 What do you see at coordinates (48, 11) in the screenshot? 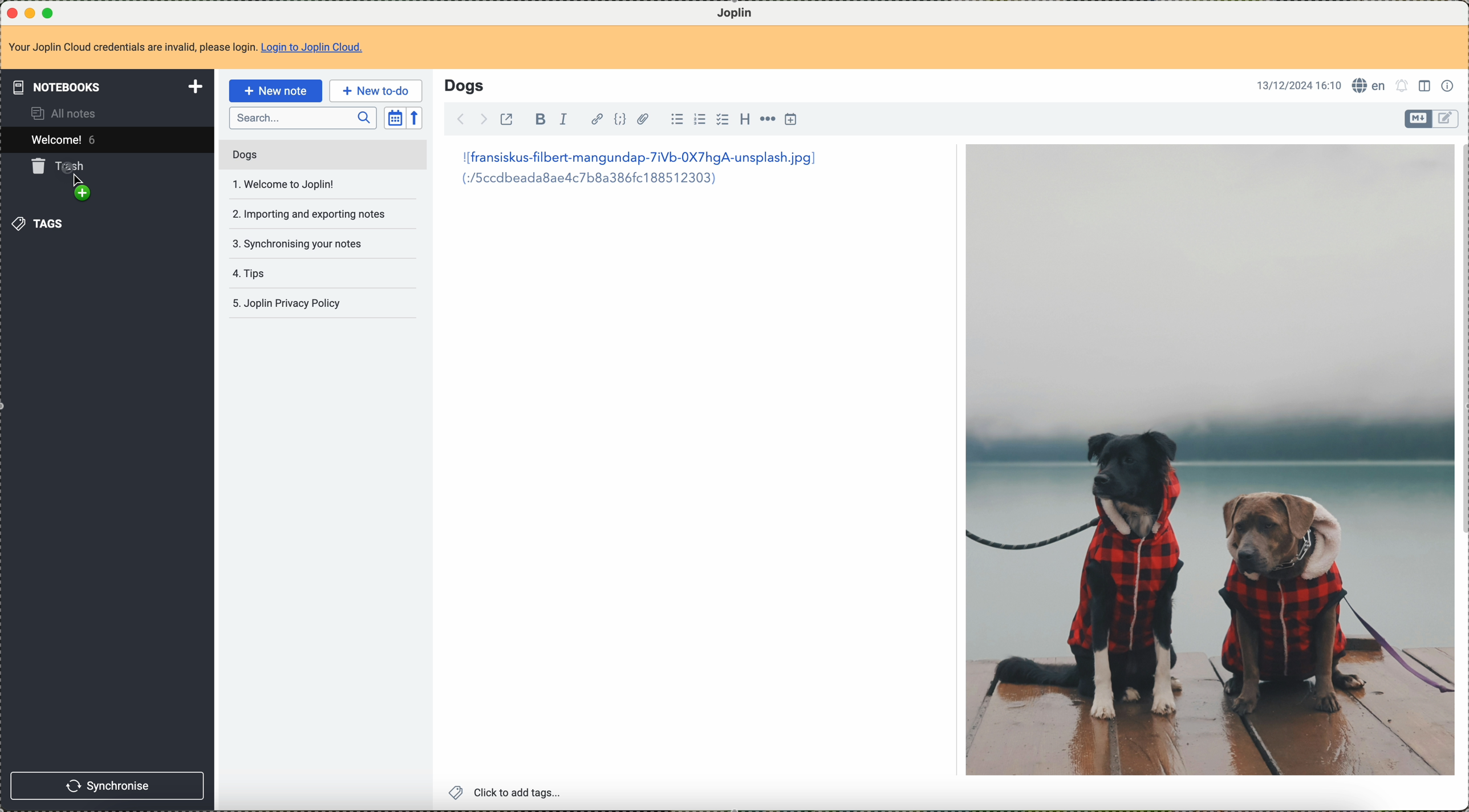
I see `maximize` at bounding box center [48, 11].